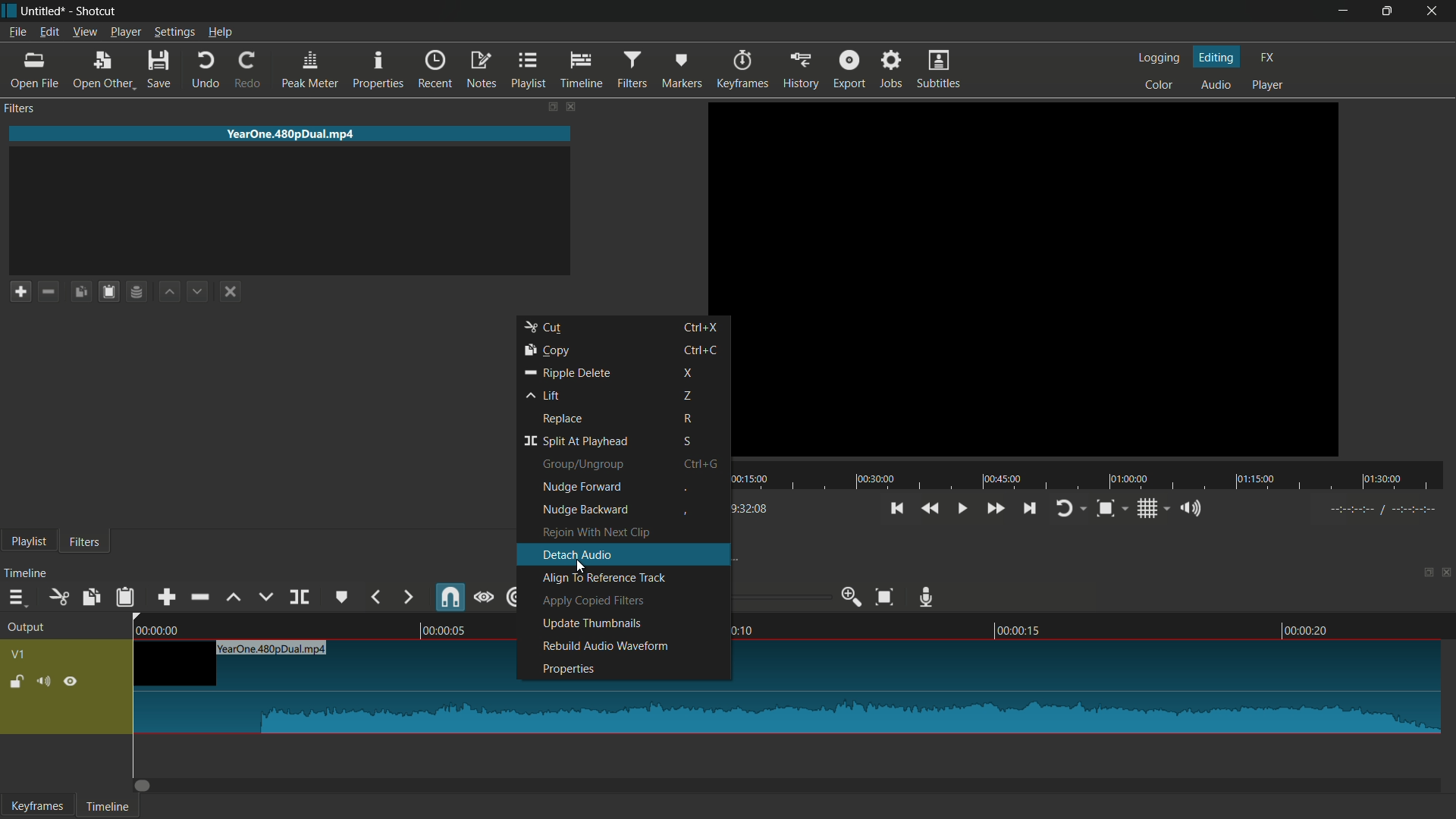 The width and height of the screenshot is (1456, 819). Describe the element at coordinates (632, 69) in the screenshot. I see `filters` at that location.